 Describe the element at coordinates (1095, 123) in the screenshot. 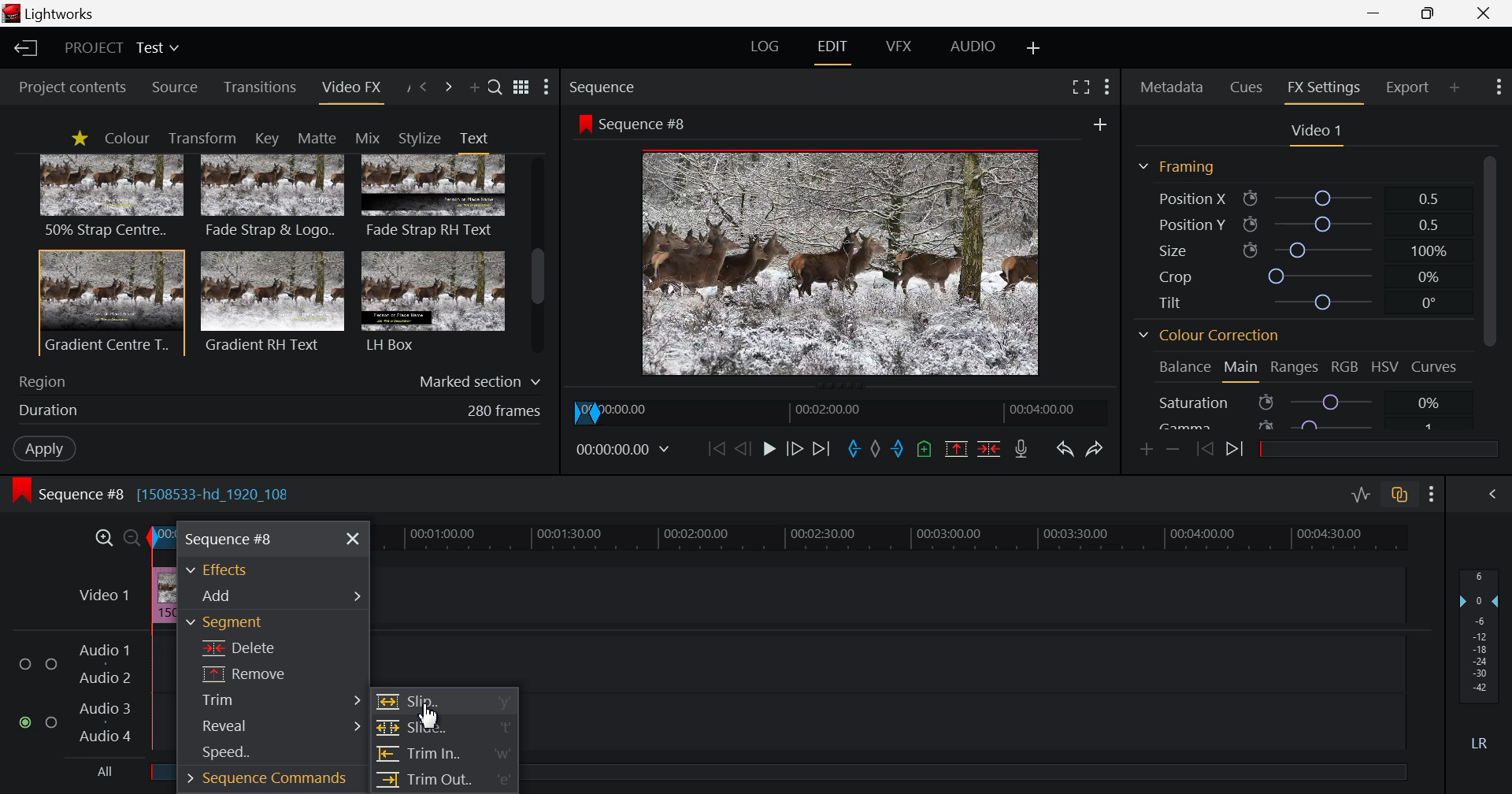

I see `Add` at that location.